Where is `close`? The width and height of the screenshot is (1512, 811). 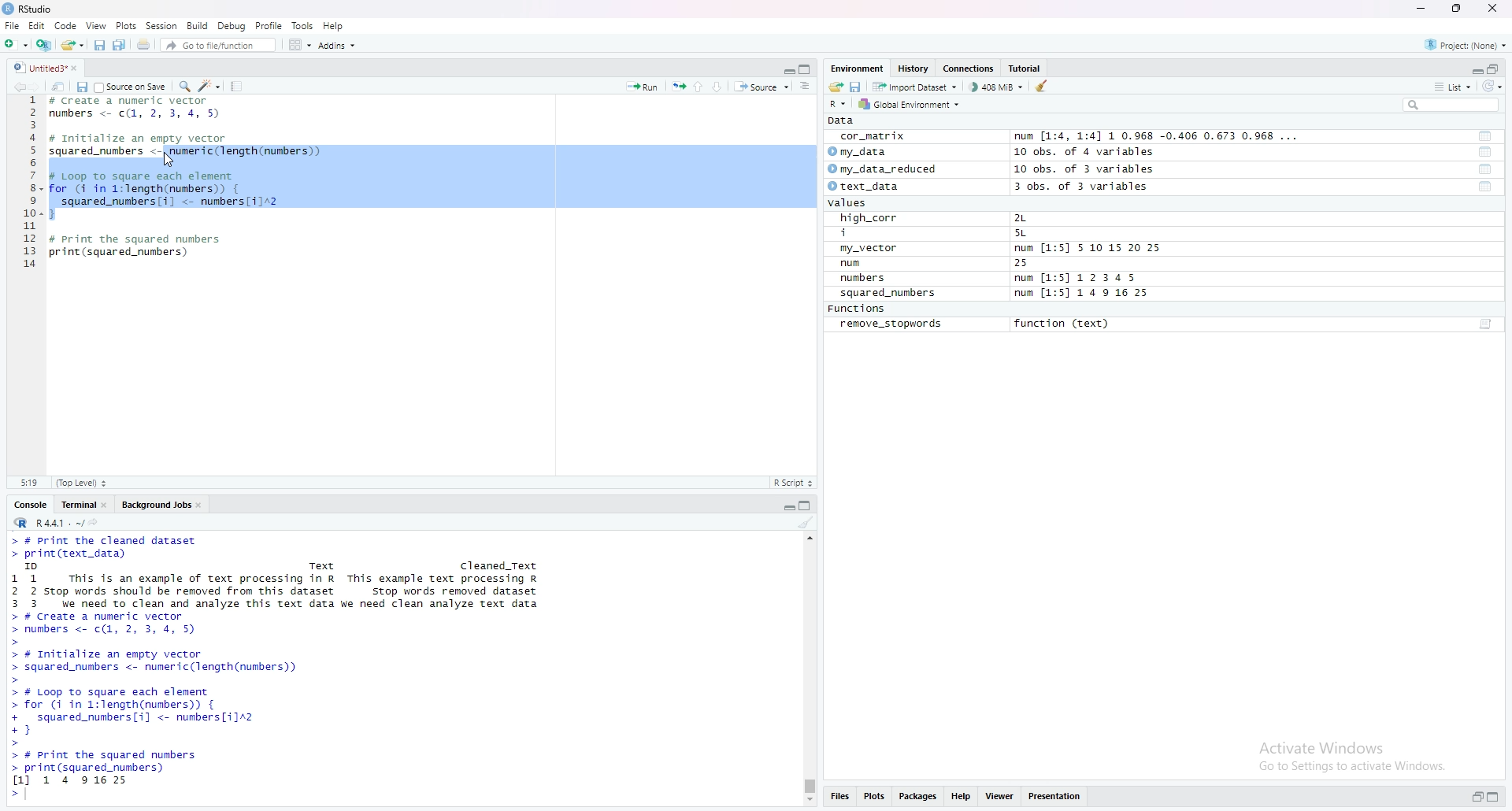
close is located at coordinates (107, 503).